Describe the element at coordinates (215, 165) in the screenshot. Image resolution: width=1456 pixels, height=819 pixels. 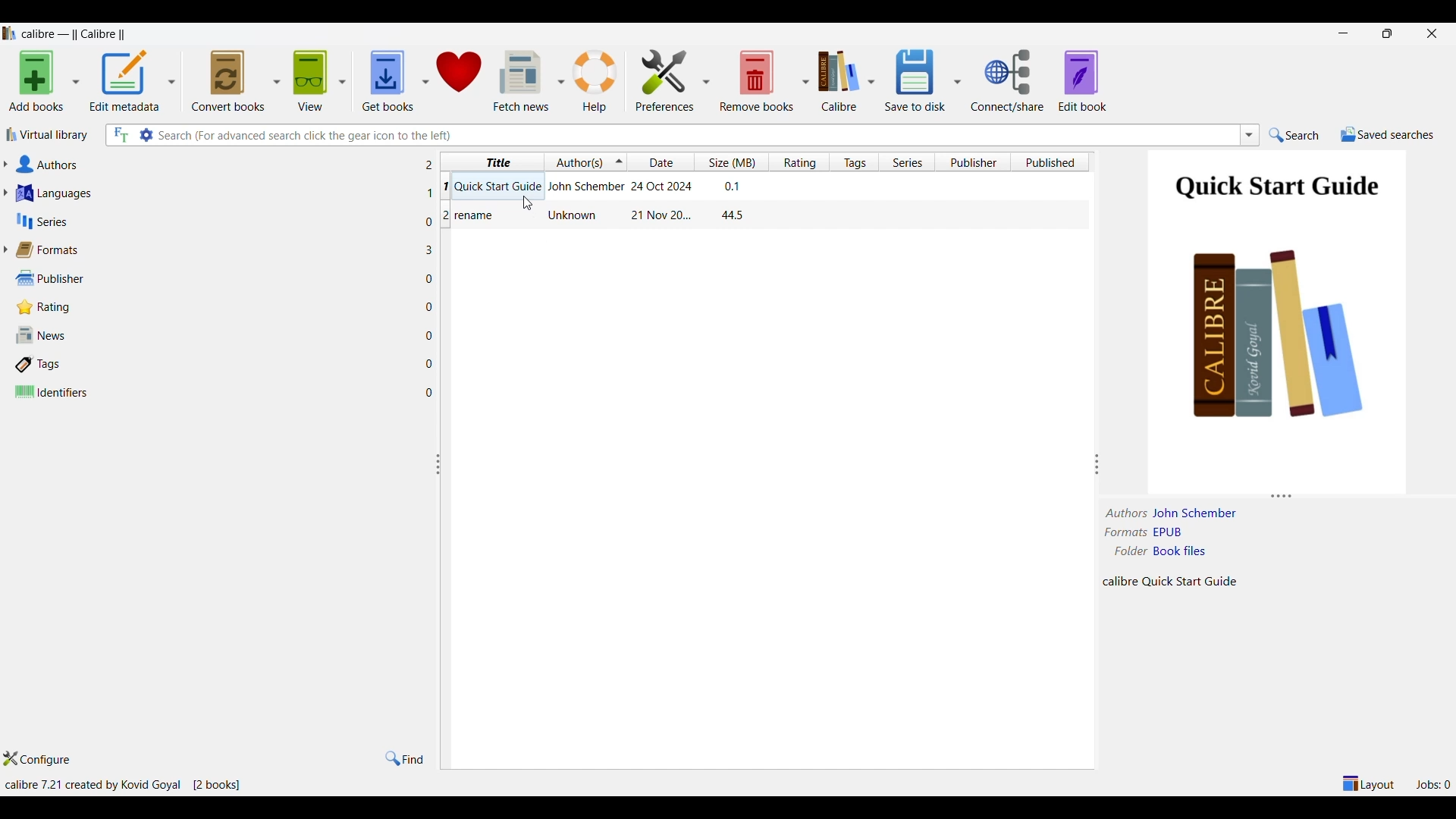
I see `Authors` at that location.